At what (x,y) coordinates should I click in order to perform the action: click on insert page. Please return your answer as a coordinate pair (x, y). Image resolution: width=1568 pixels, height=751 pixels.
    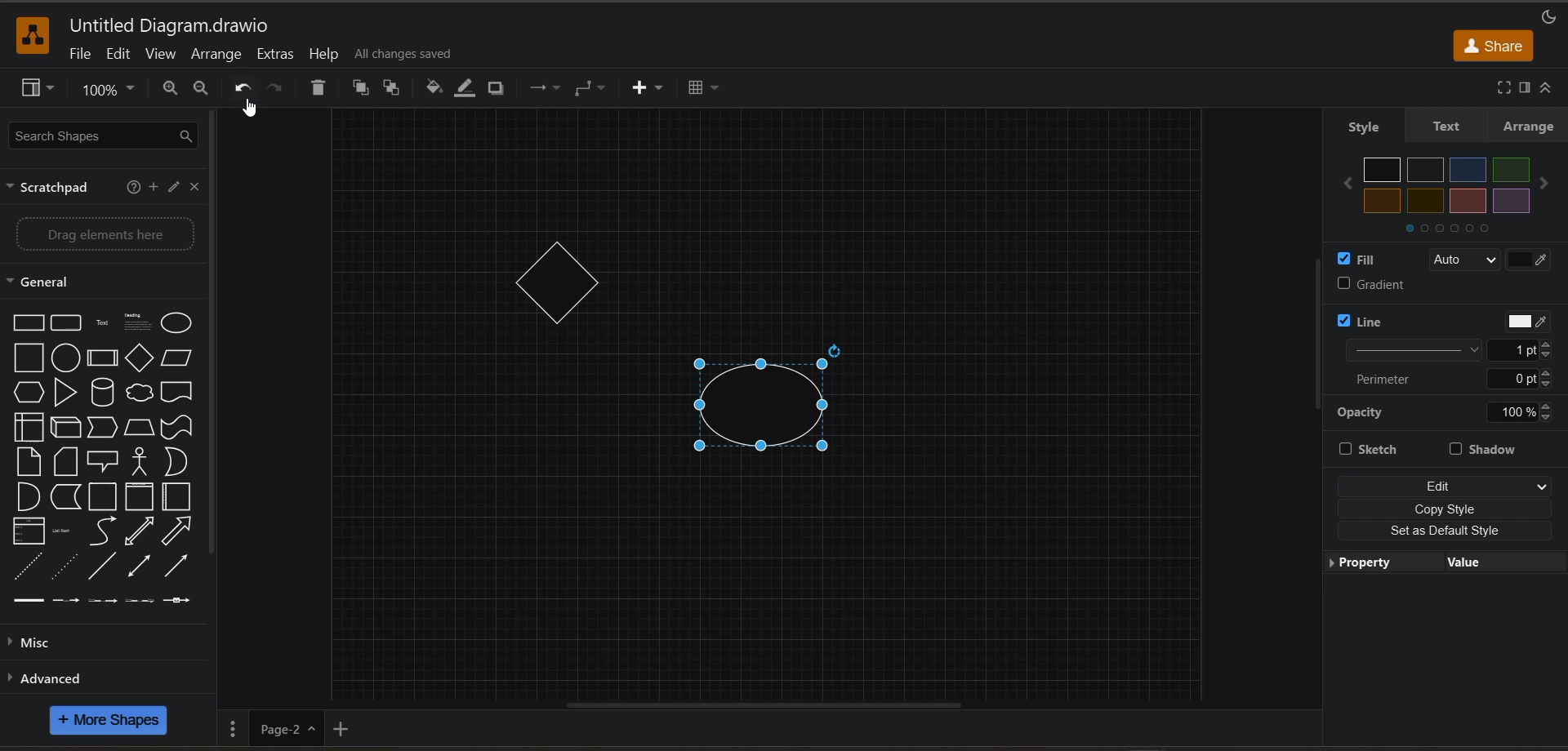
    Looking at the image, I should click on (344, 729).